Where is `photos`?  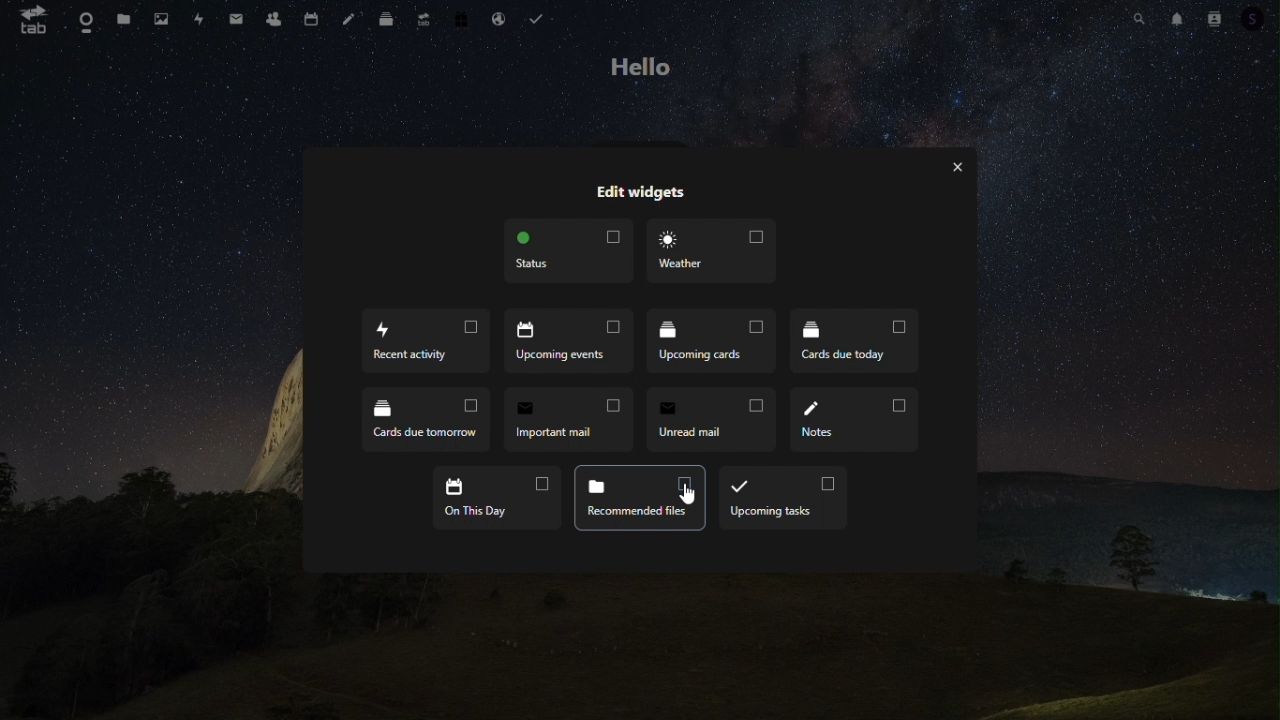 photos is located at coordinates (156, 19).